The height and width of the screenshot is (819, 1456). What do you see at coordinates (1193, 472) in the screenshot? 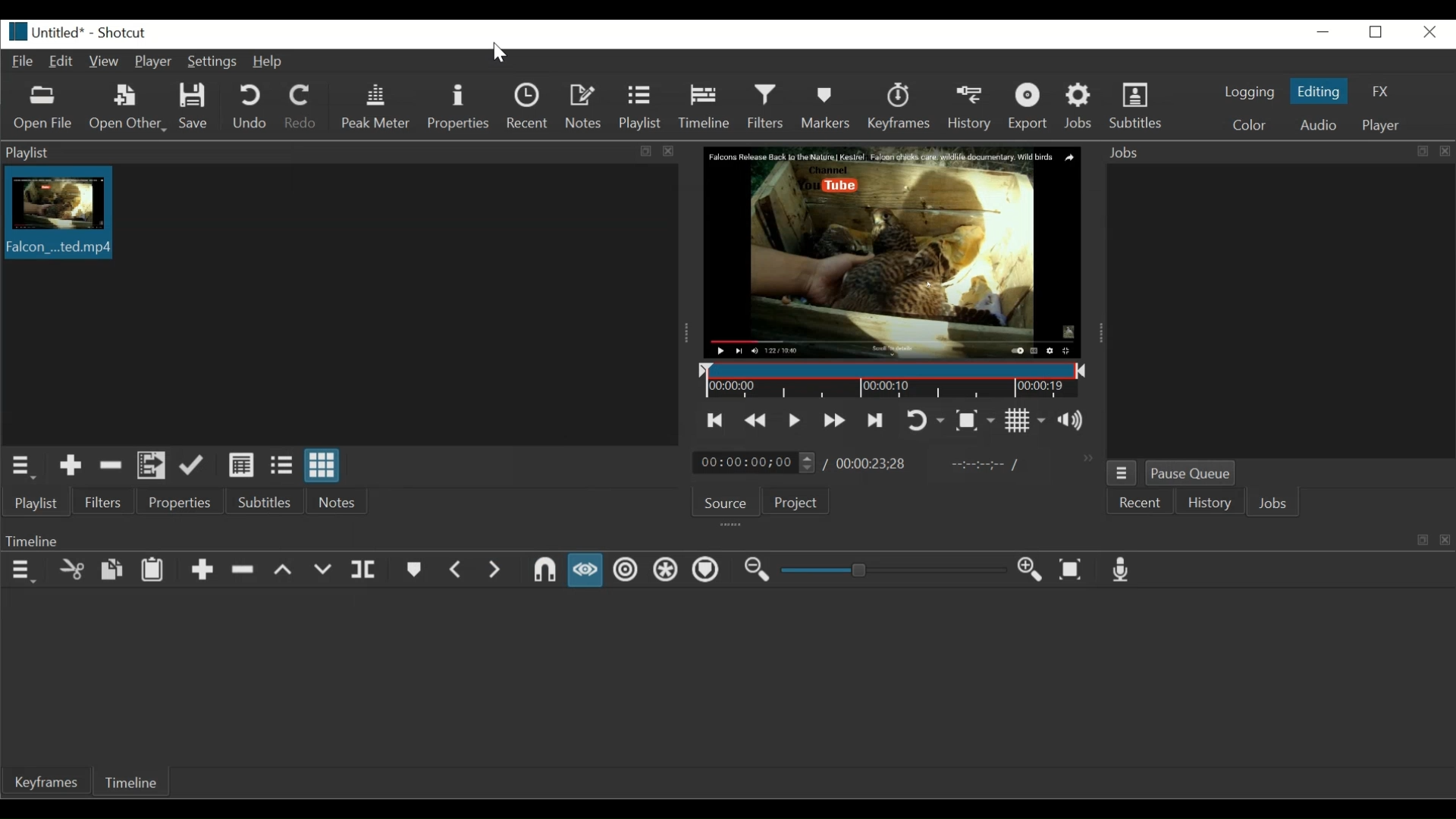
I see `Pause Queue` at bounding box center [1193, 472].